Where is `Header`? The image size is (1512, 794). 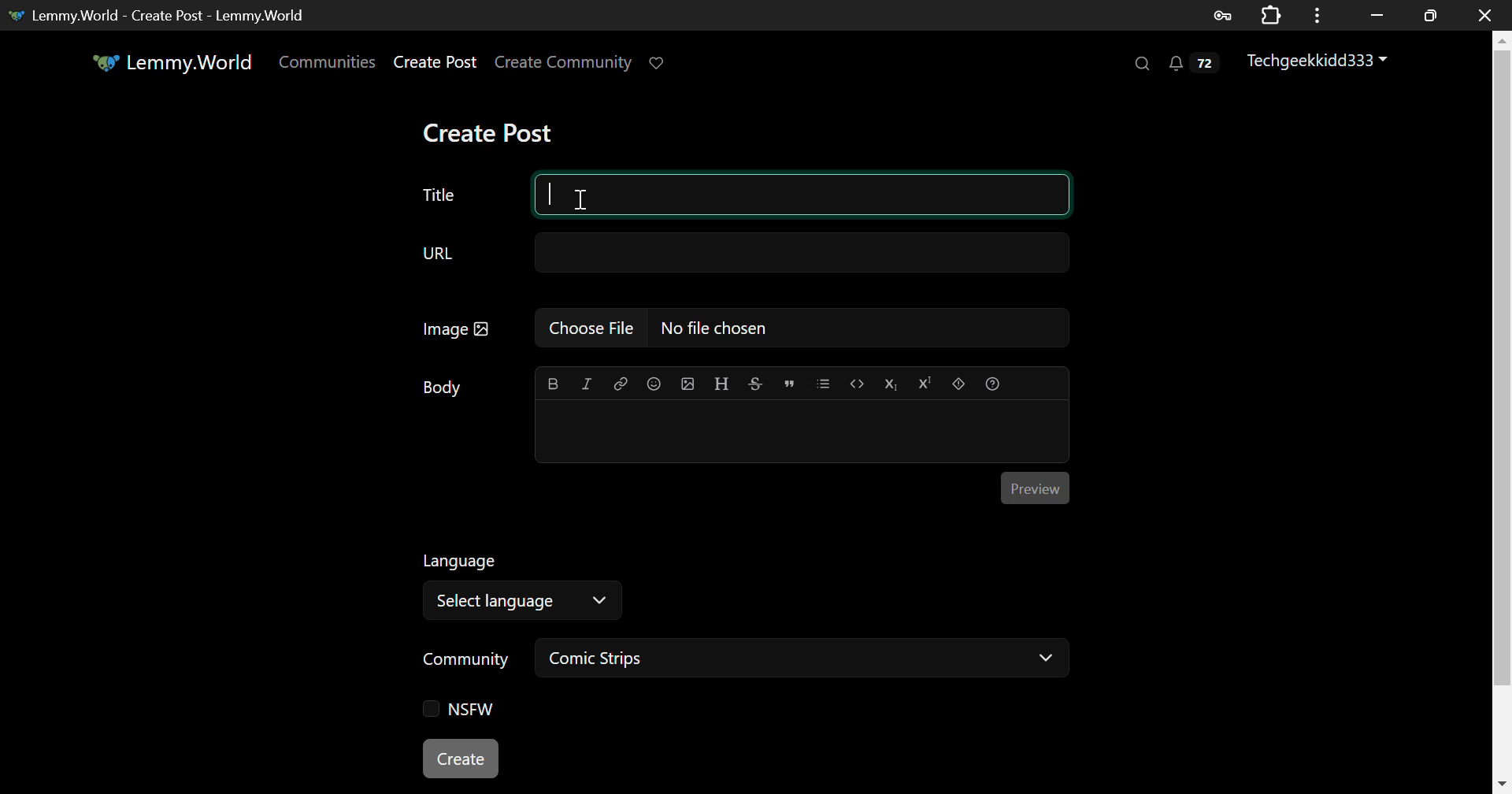
Header is located at coordinates (722, 384).